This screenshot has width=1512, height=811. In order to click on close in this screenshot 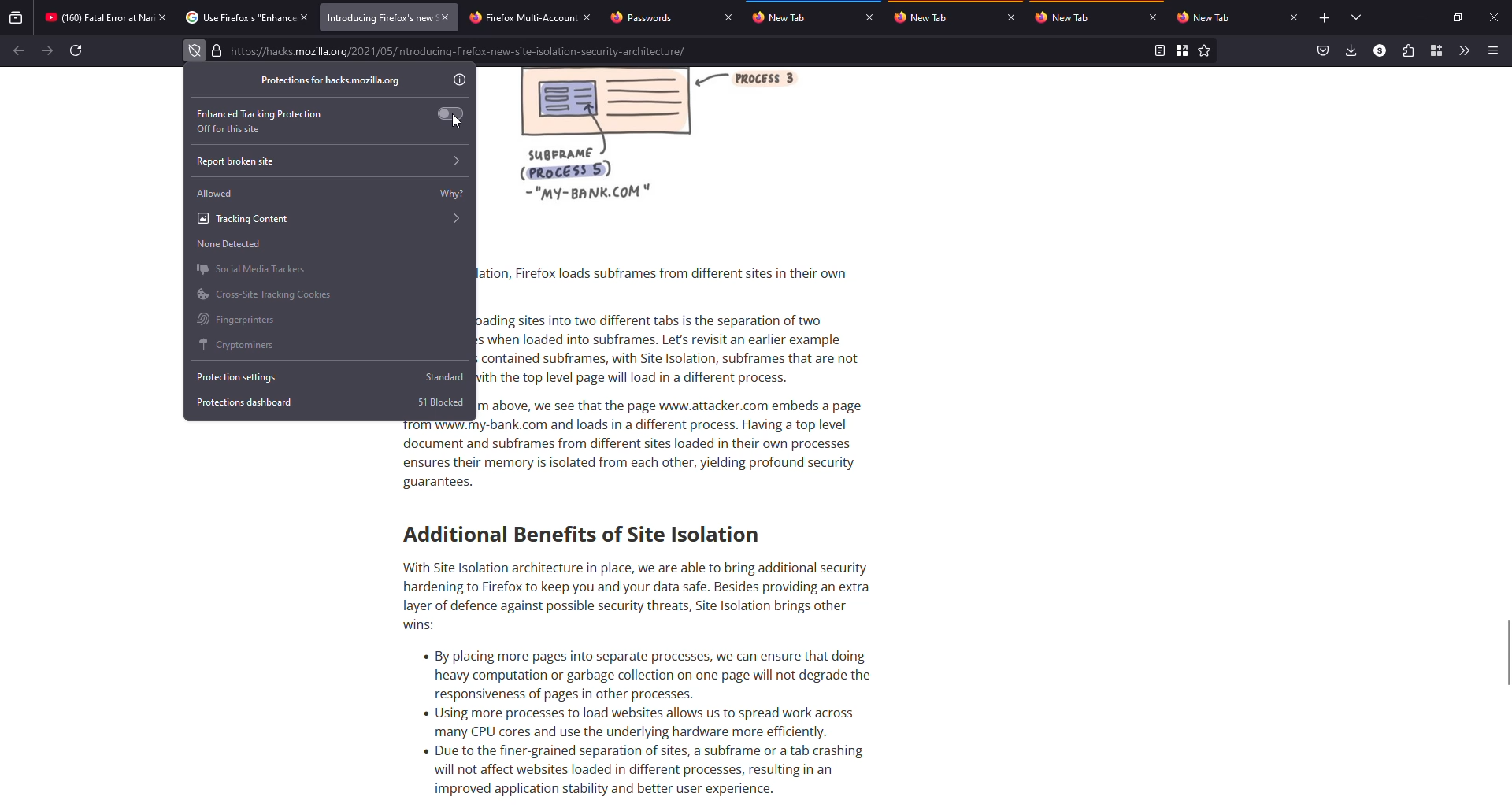, I will do `click(163, 17)`.